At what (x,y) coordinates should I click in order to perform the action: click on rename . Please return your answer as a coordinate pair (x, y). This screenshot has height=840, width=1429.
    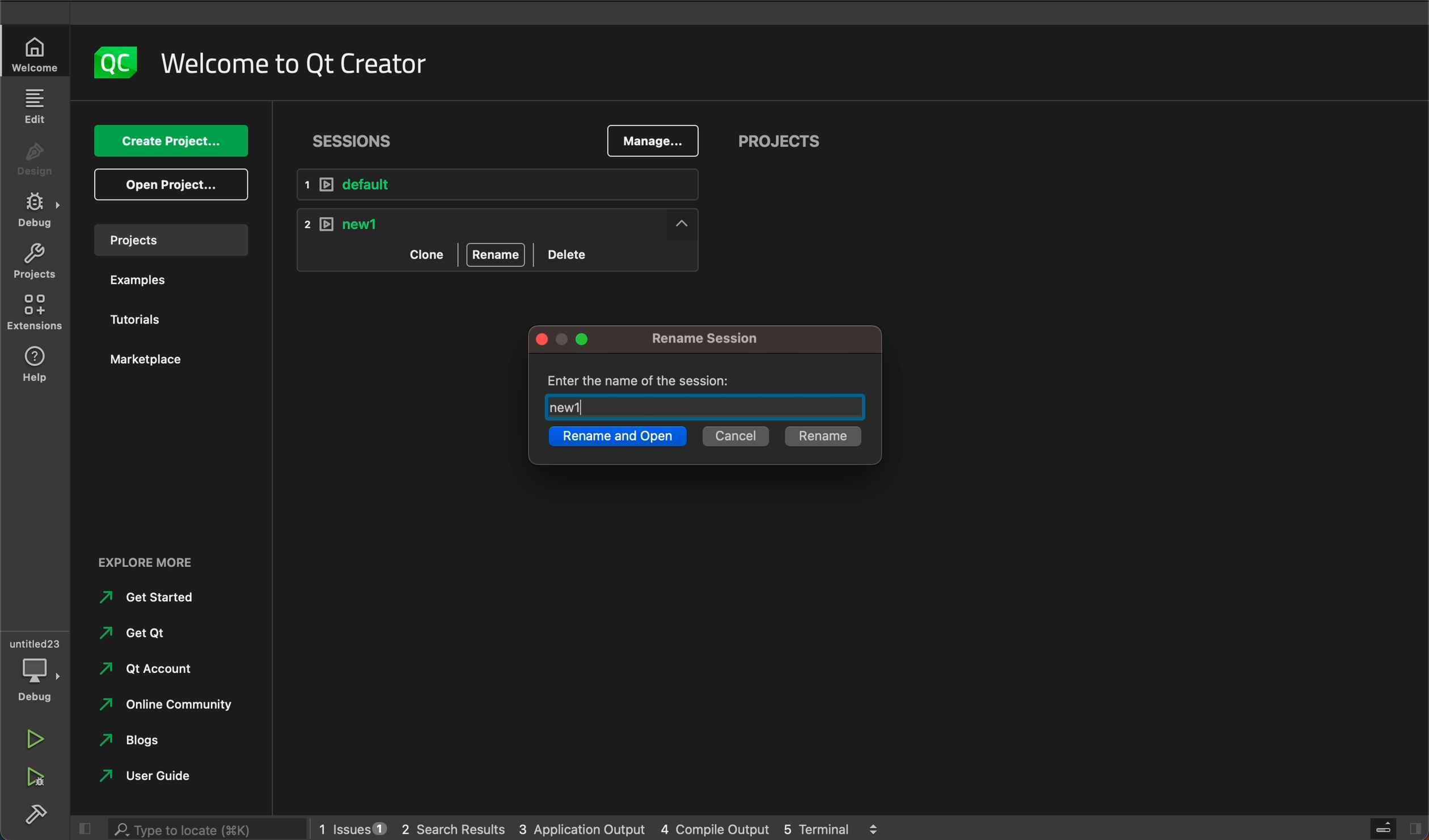
    Looking at the image, I should click on (721, 339).